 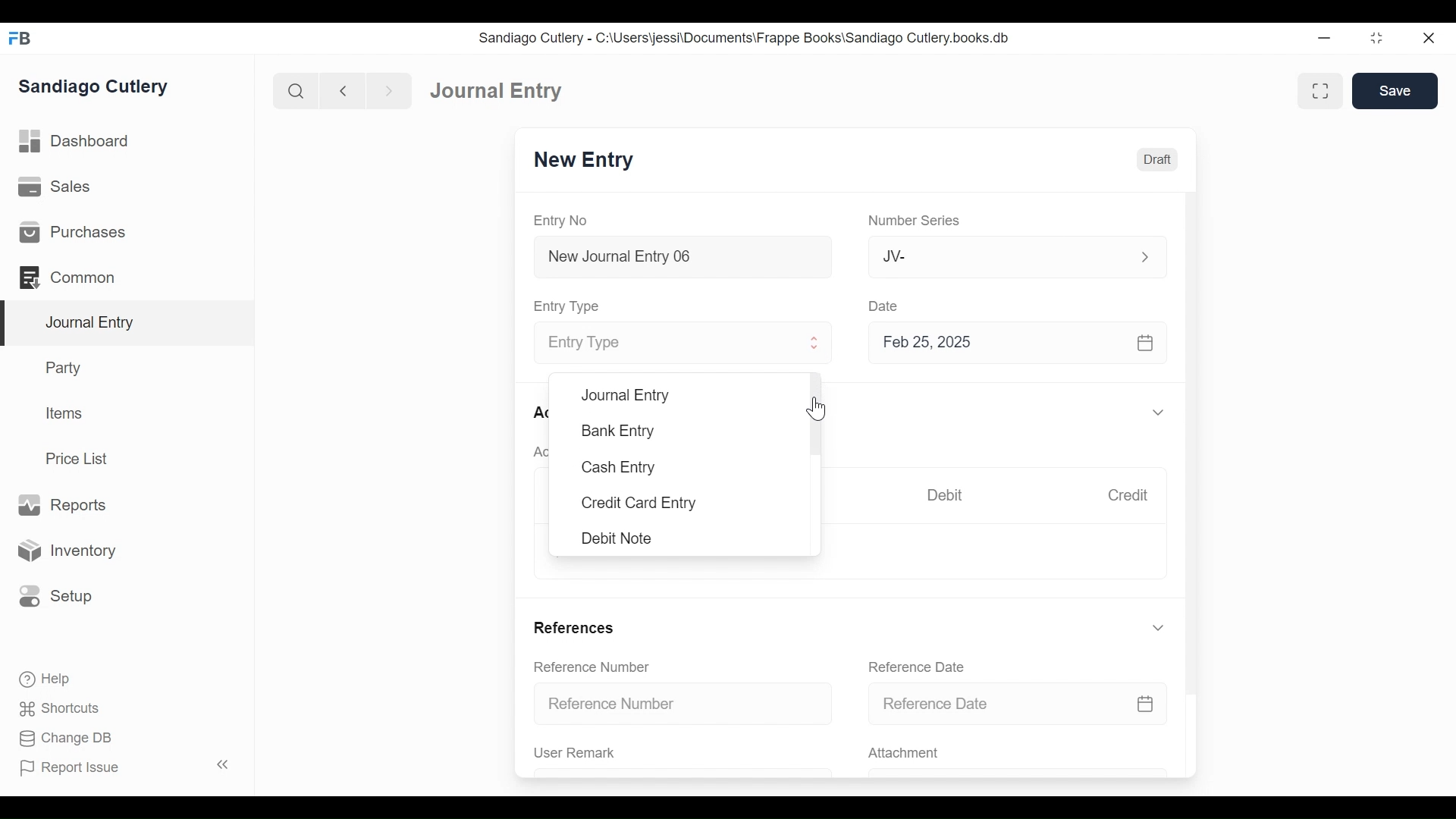 I want to click on Purchases, so click(x=71, y=232).